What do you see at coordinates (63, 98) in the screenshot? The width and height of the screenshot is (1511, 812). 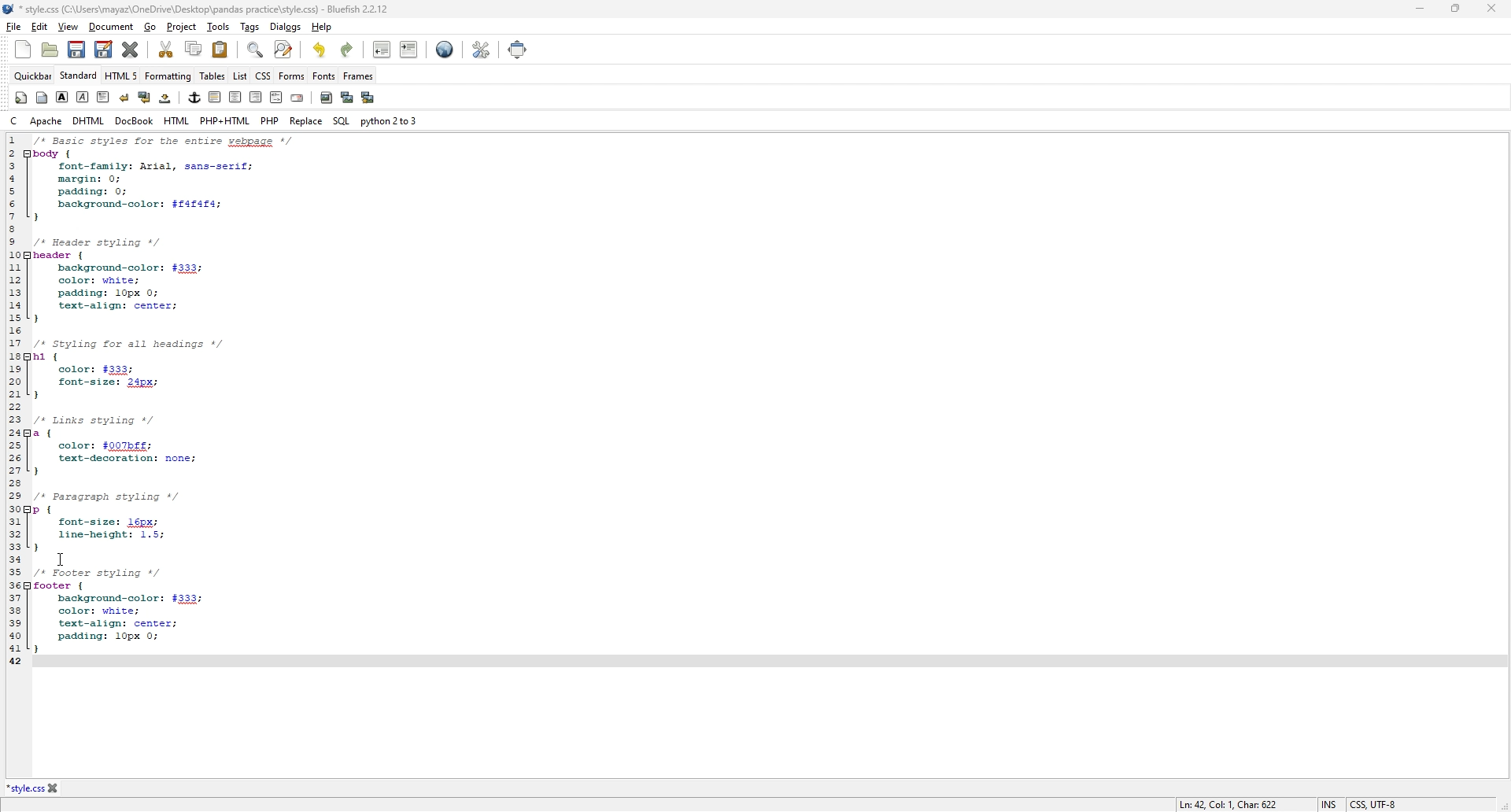 I see `bold` at bounding box center [63, 98].